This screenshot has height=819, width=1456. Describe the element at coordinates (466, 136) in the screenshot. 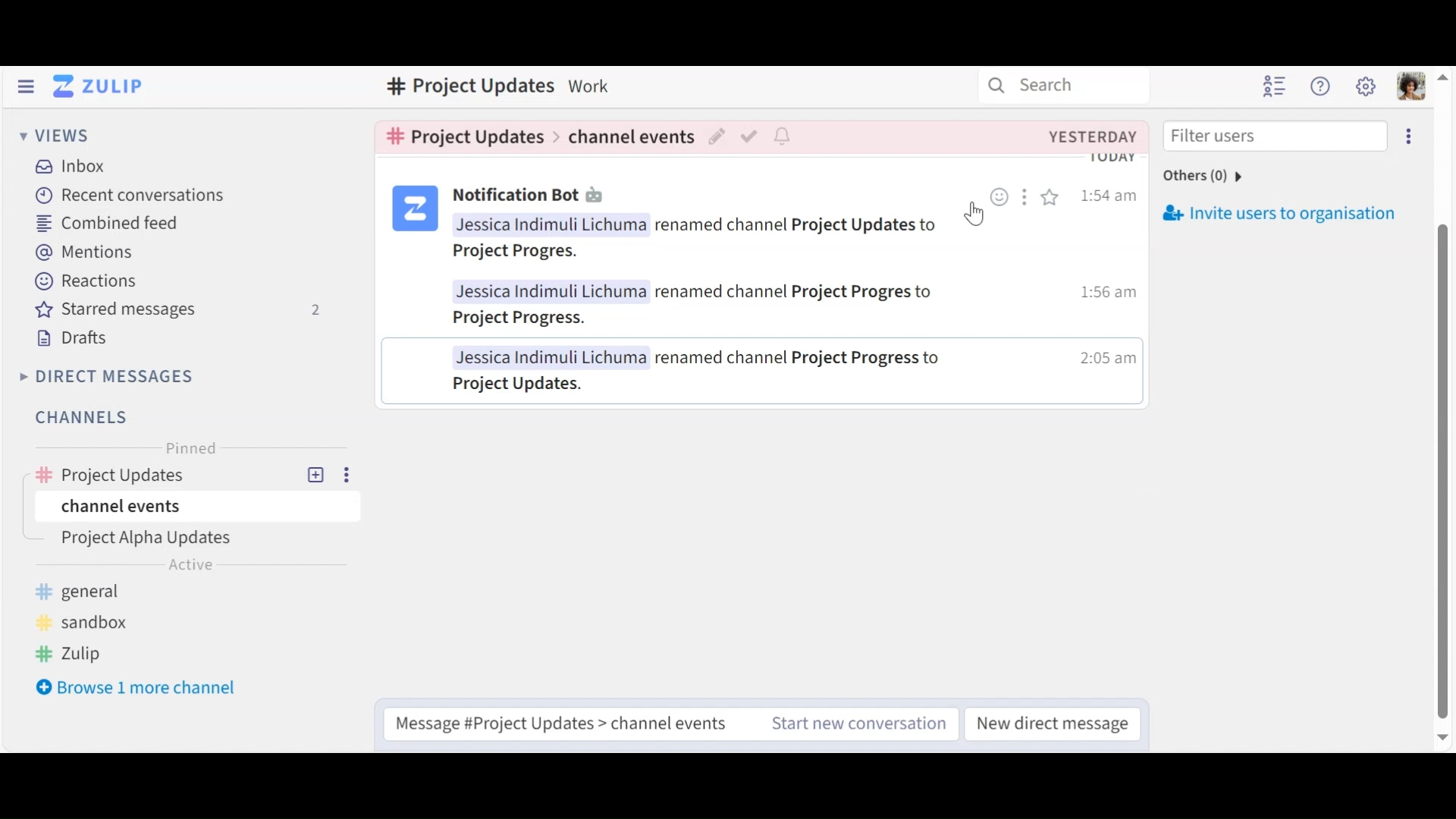

I see `Channel topic` at that location.